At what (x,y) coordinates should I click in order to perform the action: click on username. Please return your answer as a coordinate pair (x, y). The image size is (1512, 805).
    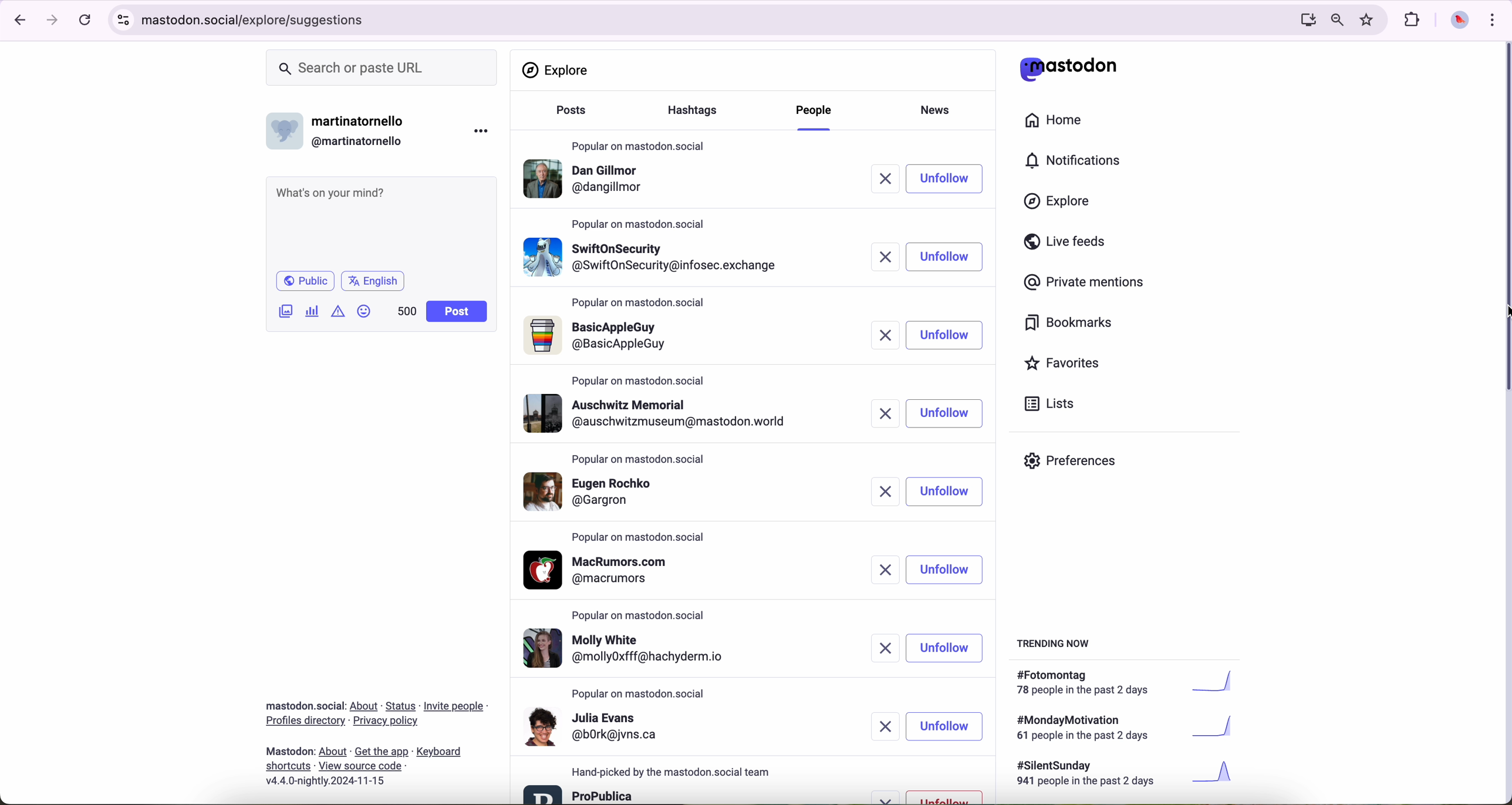
    Looking at the image, I should click on (341, 128).